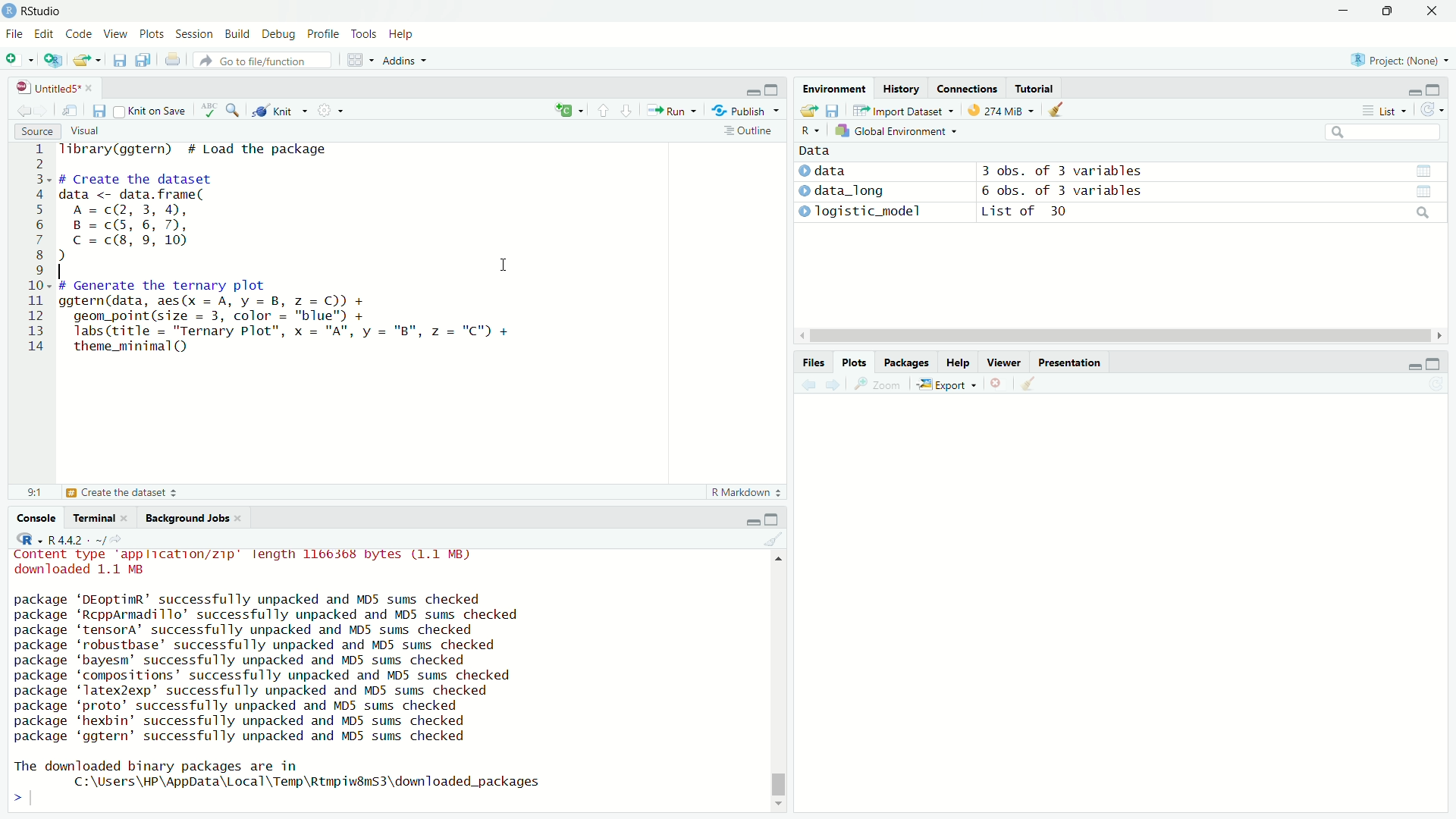 Image resolution: width=1456 pixels, height=819 pixels. I want to click on minimise, so click(1409, 366).